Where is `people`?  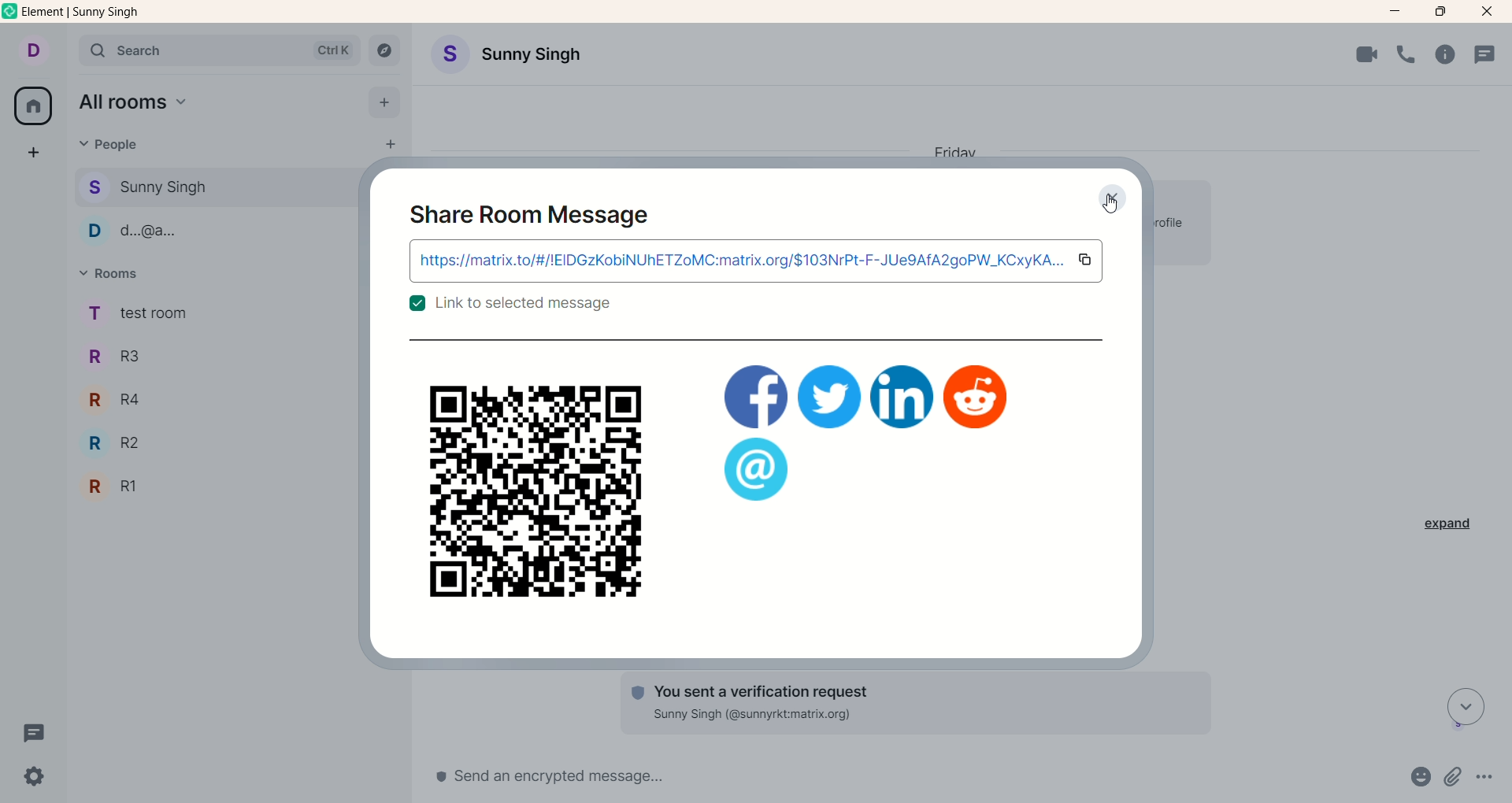
people is located at coordinates (113, 143).